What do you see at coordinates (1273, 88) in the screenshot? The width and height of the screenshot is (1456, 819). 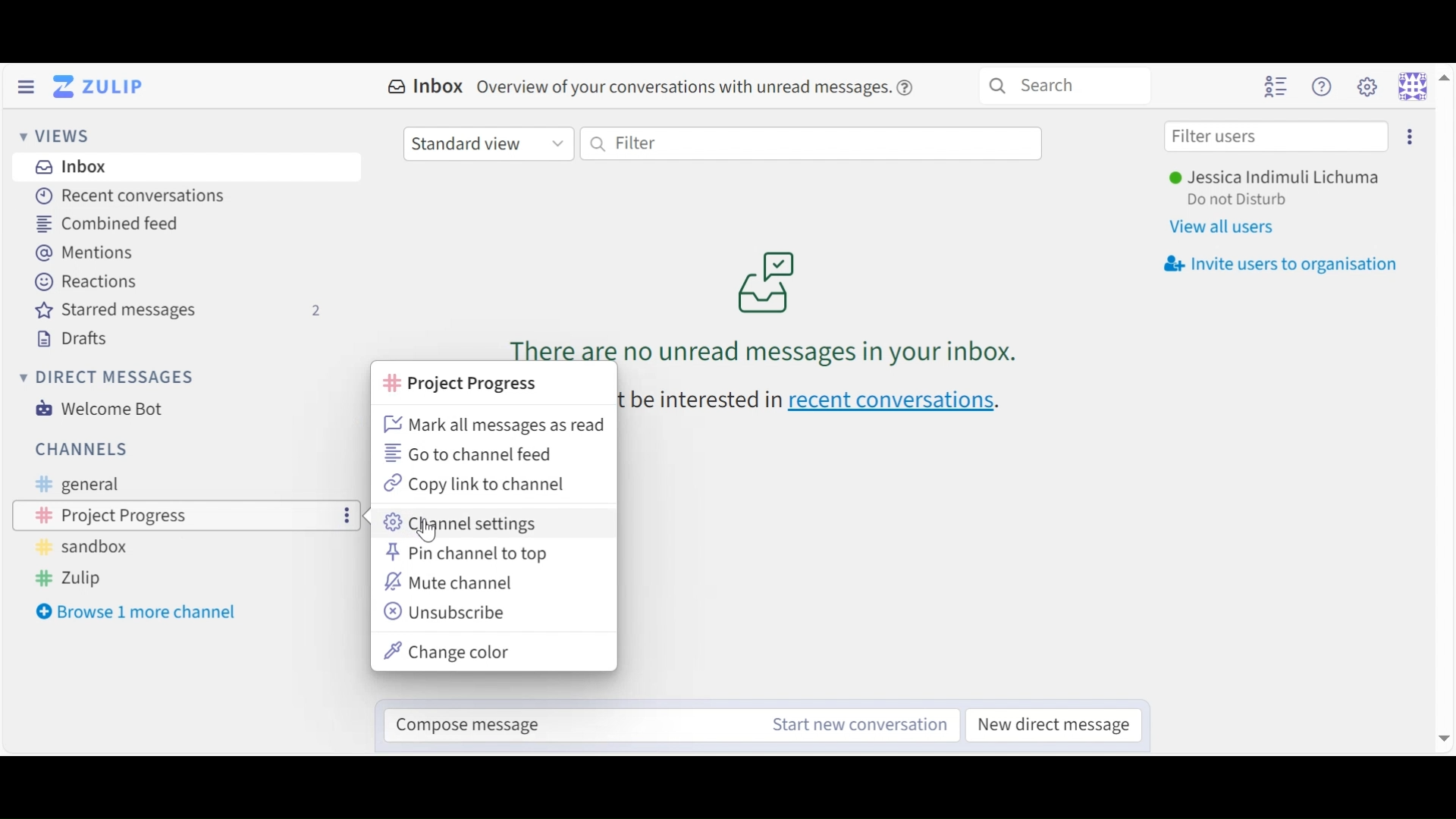 I see `Hide user list` at bounding box center [1273, 88].